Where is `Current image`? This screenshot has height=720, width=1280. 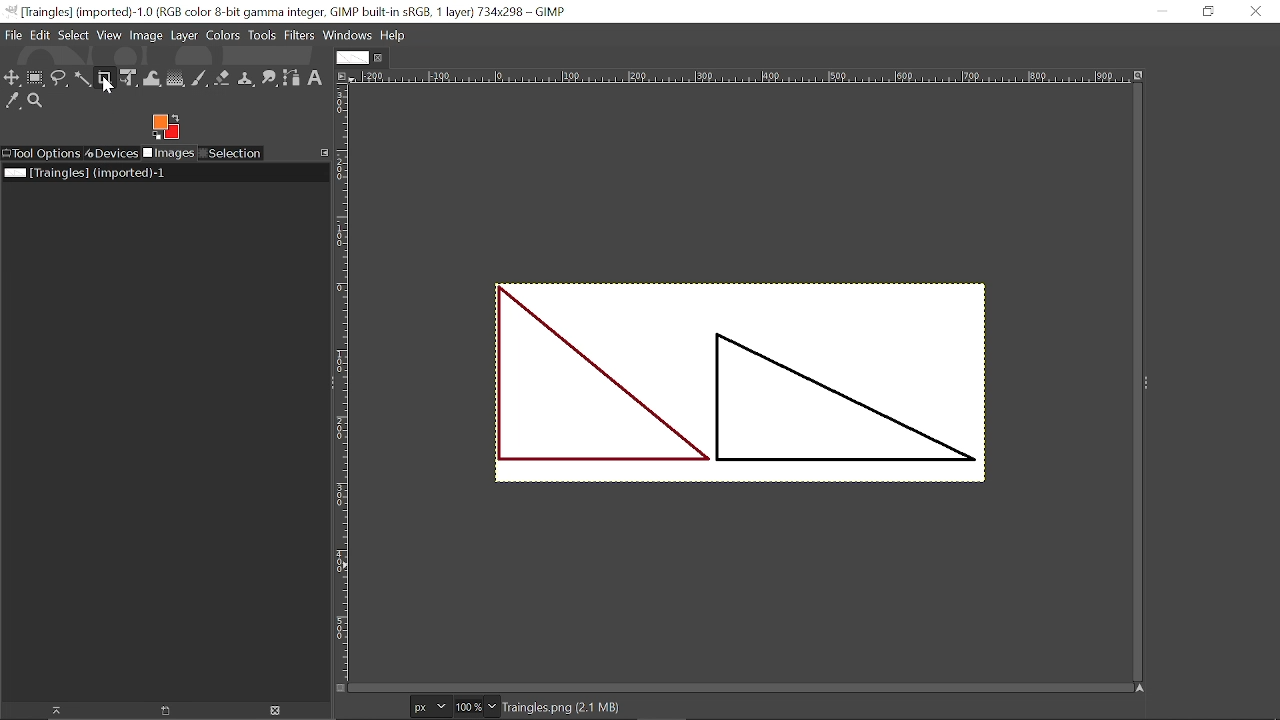 Current image is located at coordinates (745, 392).